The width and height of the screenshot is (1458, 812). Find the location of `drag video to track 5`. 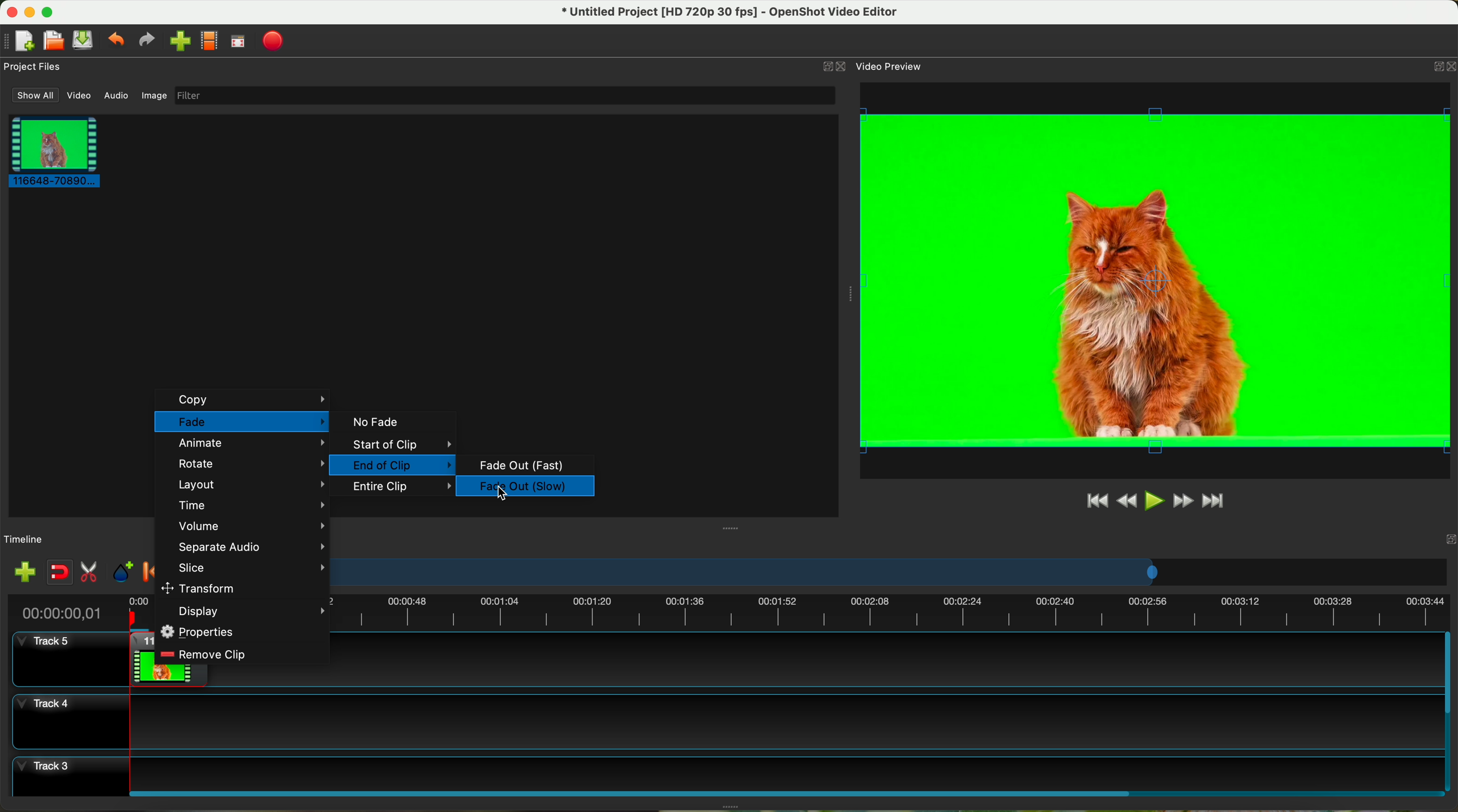

drag video to track 5 is located at coordinates (141, 658).